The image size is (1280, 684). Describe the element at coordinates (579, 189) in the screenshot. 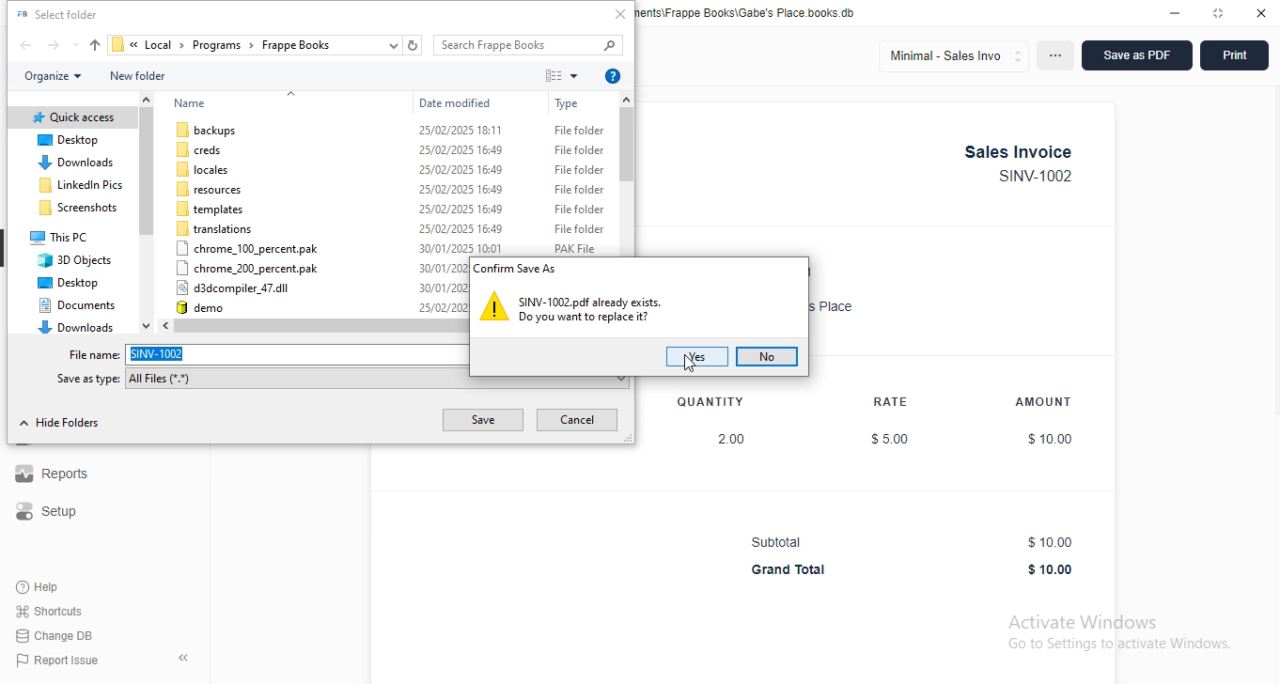

I see `file folder` at that location.